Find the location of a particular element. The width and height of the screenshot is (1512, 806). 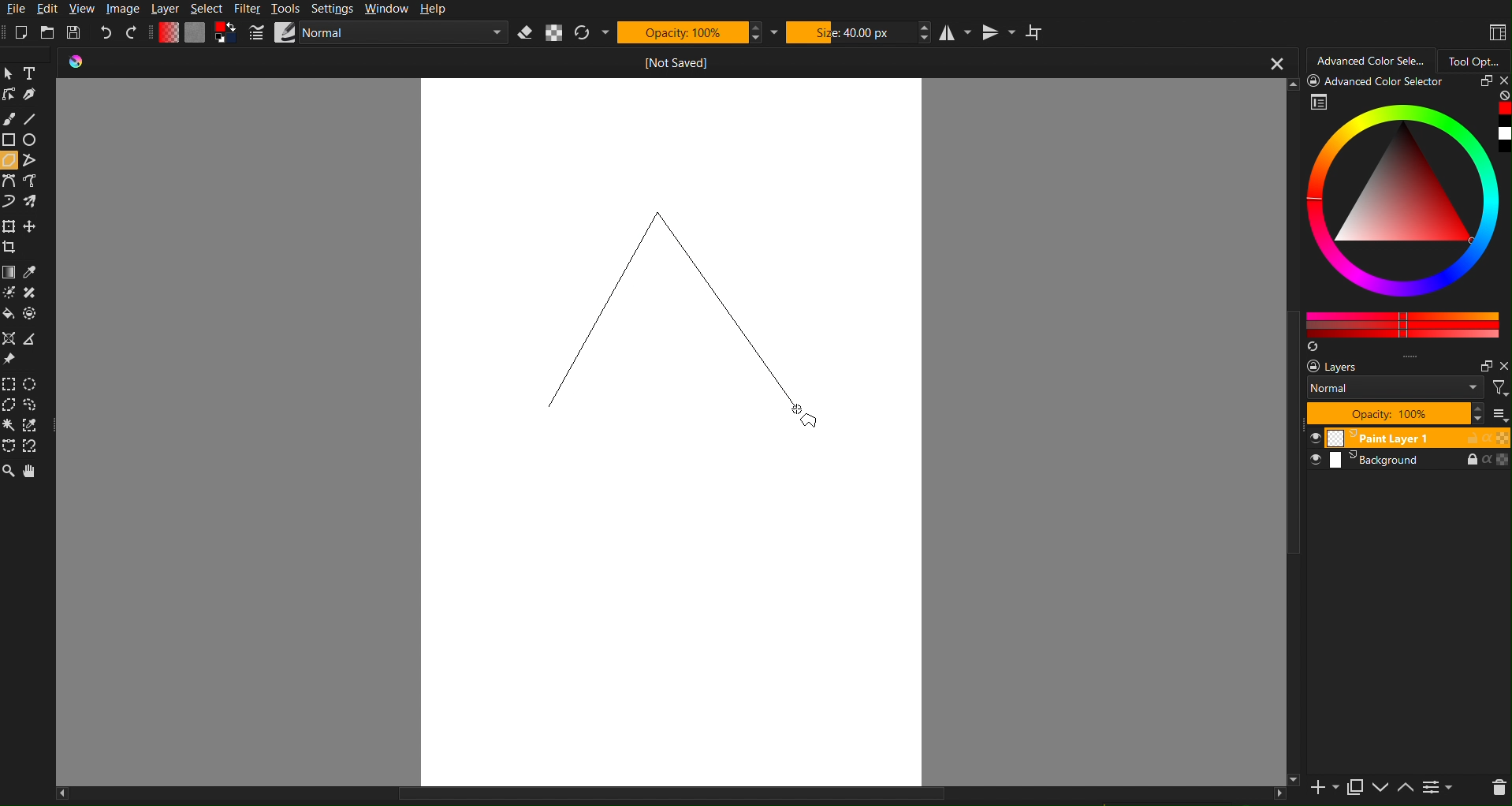

edit shapes tool is located at coordinates (10, 95).